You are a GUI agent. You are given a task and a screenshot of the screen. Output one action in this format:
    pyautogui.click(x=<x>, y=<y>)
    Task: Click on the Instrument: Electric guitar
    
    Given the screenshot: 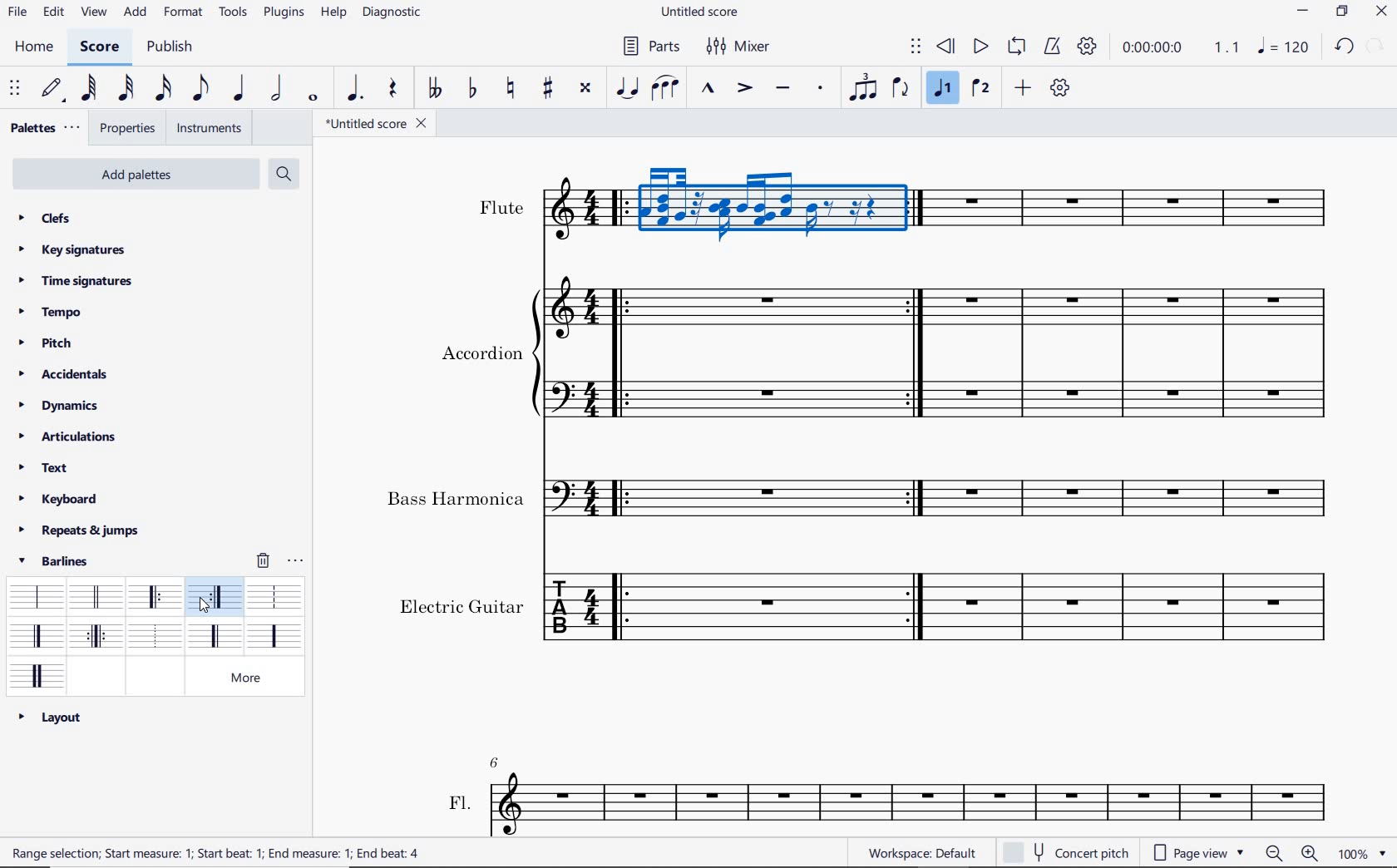 What is the action you would take?
    pyautogui.click(x=765, y=393)
    